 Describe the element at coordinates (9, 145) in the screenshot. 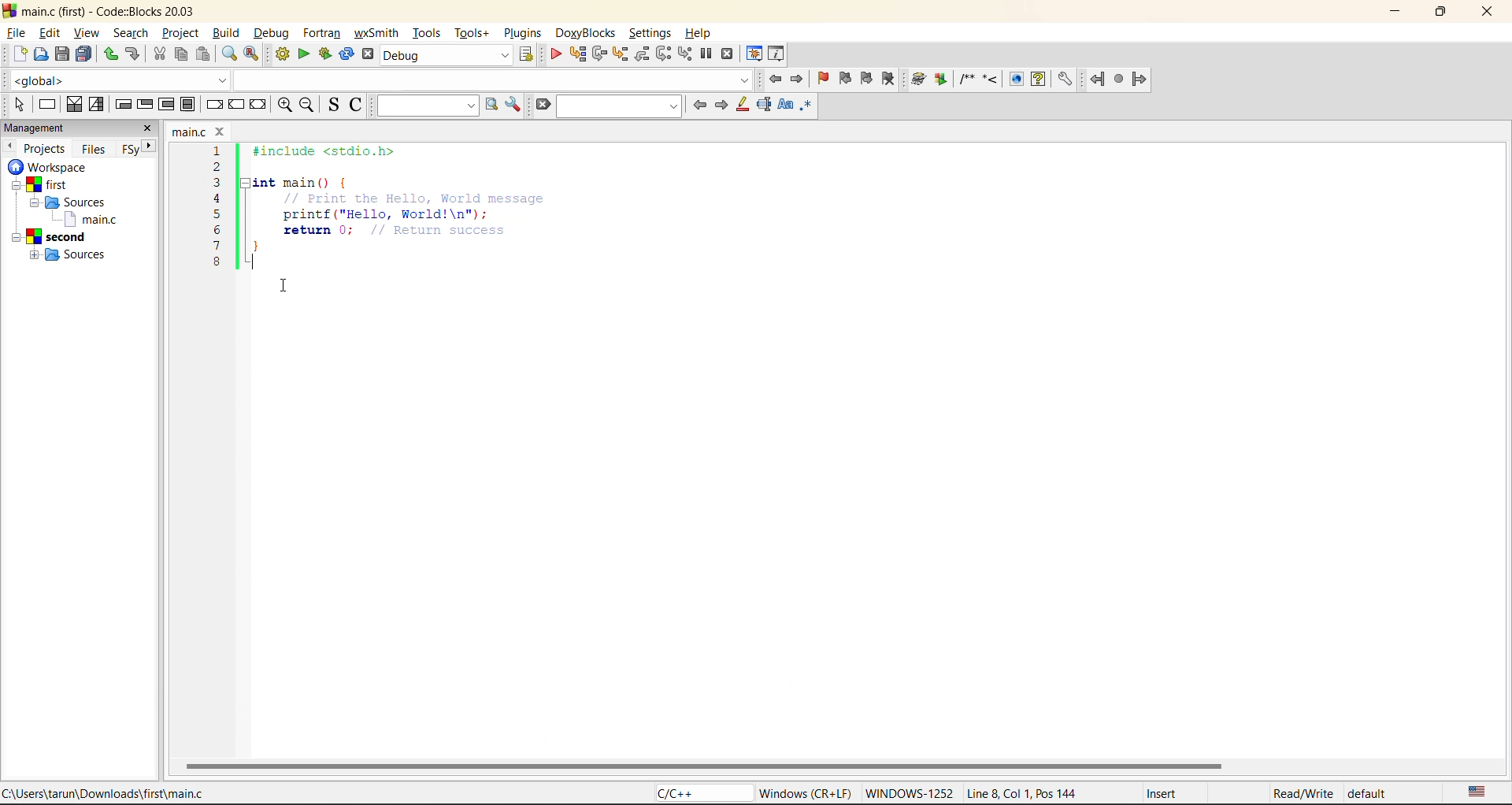

I see `previous` at that location.